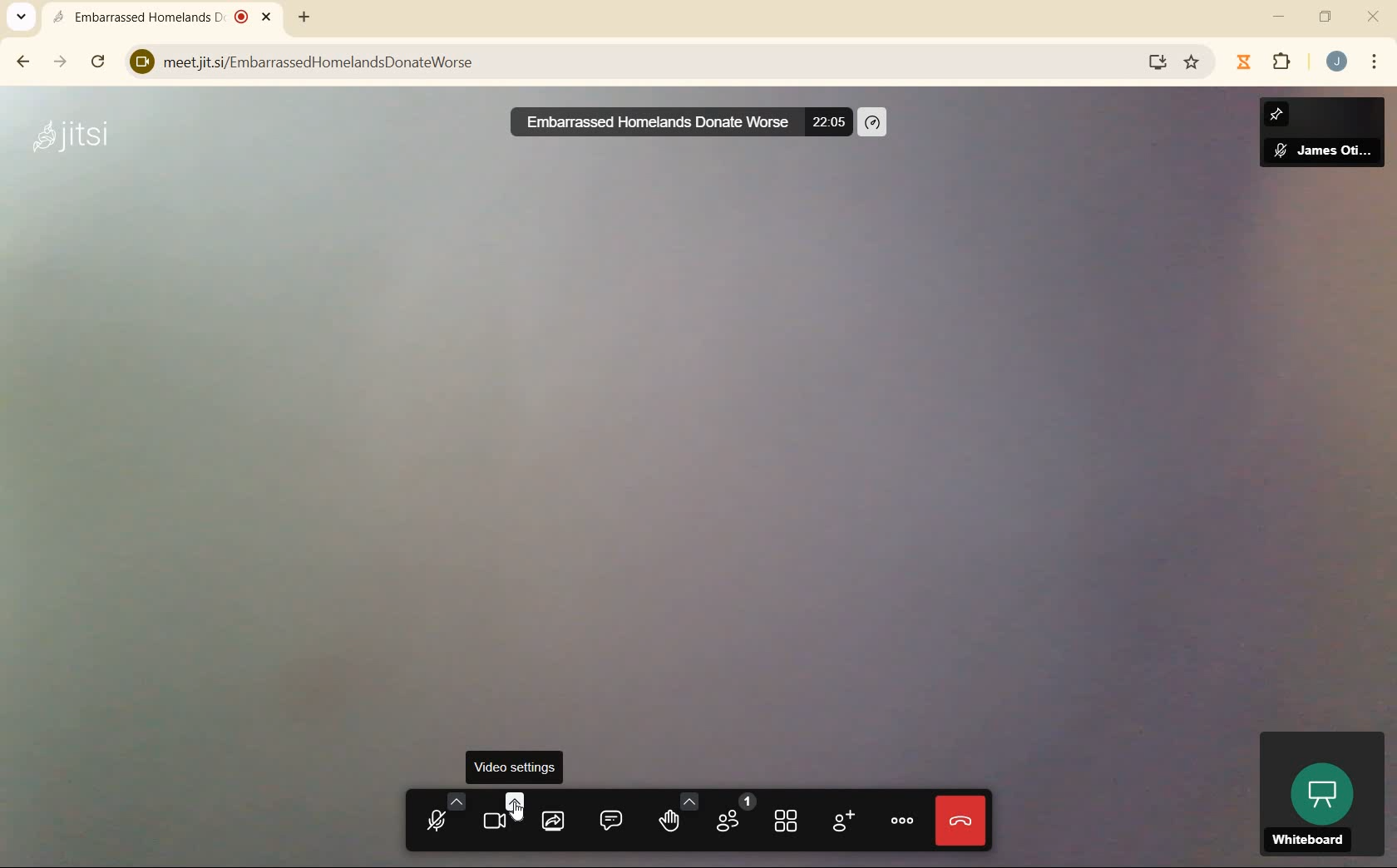 The height and width of the screenshot is (868, 1397). I want to click on toggle tile view, so click(787, 821).